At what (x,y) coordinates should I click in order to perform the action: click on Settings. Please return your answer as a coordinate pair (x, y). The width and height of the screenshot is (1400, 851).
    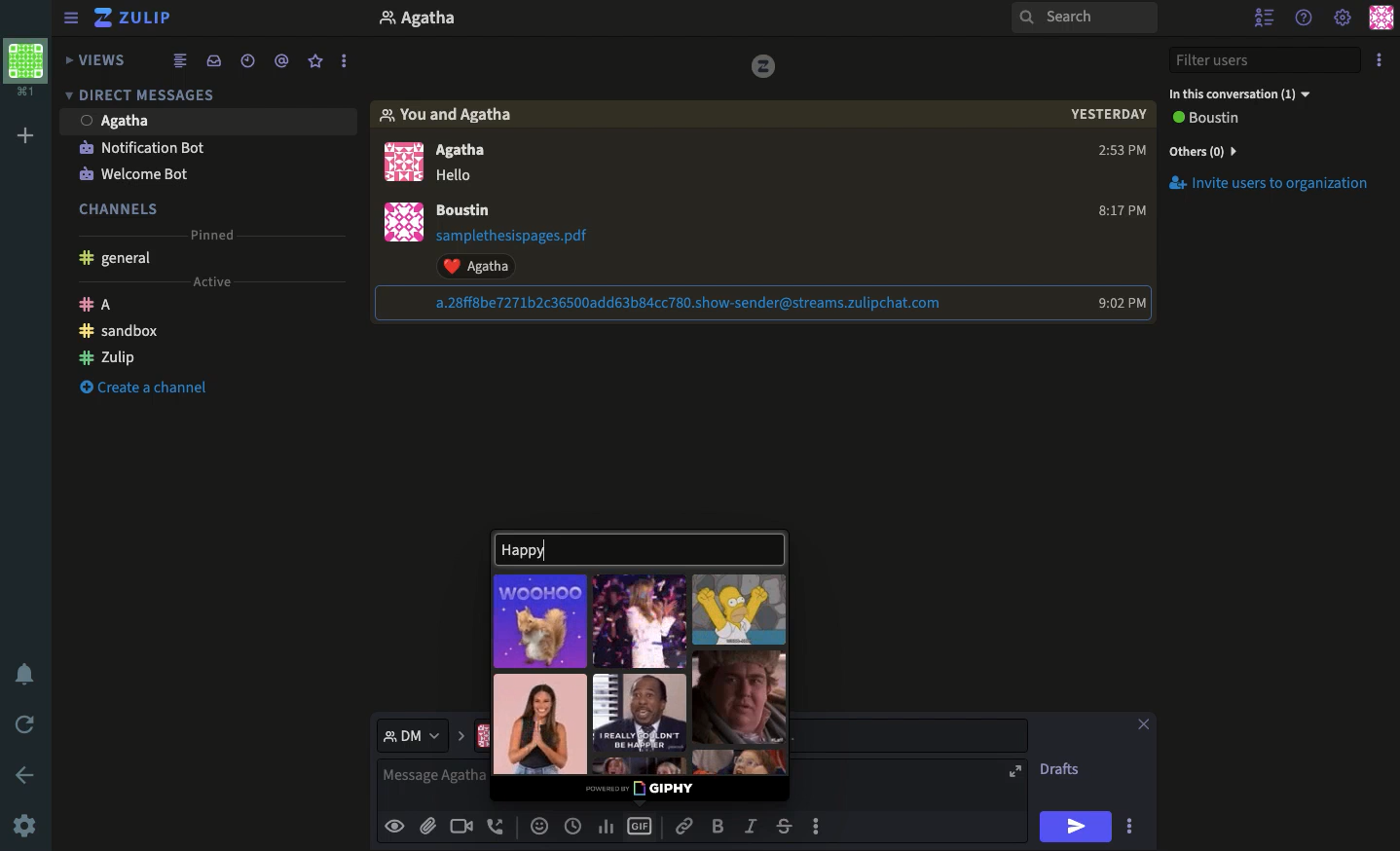
    Looking at the image, I should click on (25, 825).